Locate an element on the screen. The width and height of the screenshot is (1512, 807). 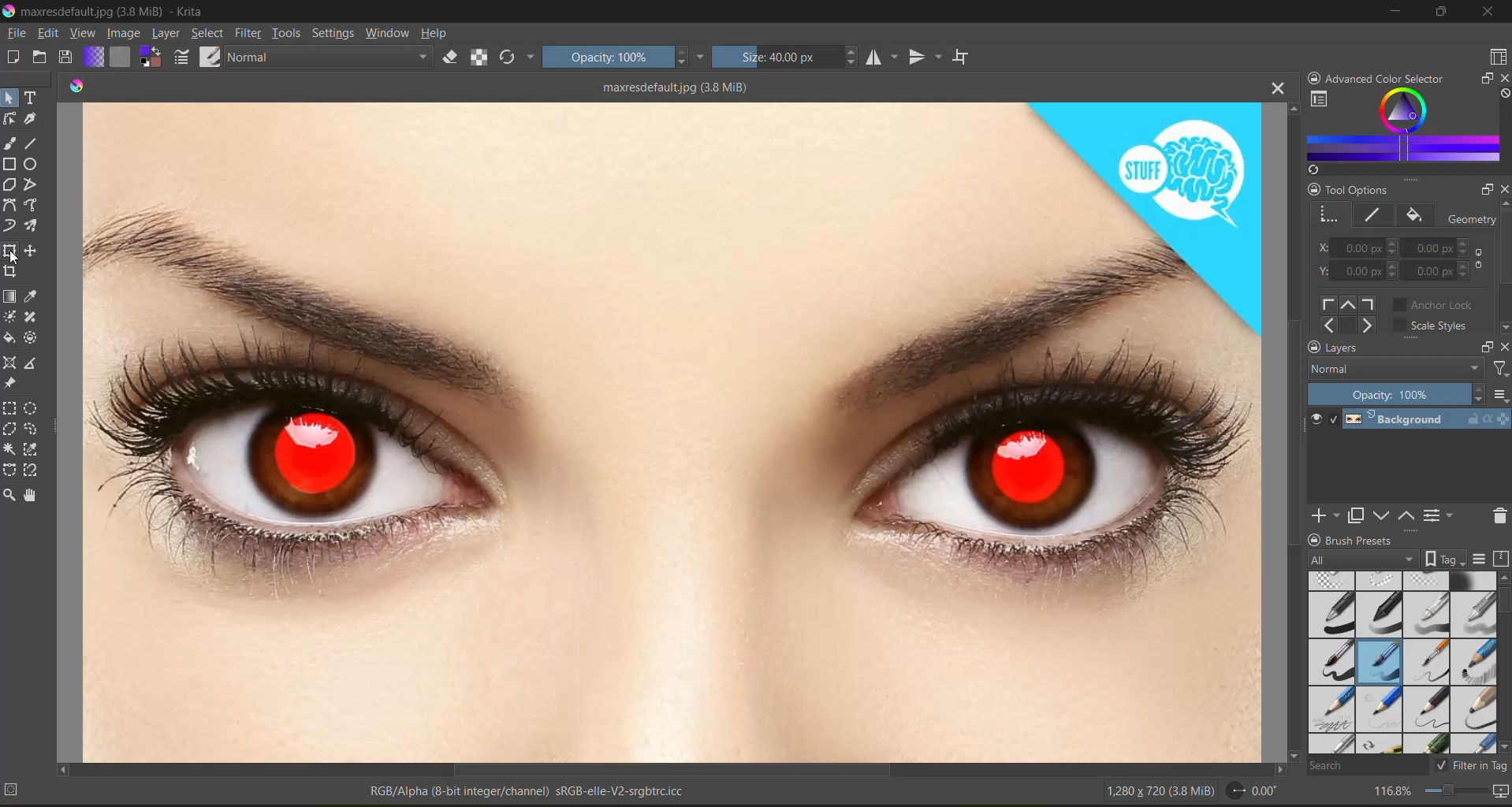
fill is located at coordinates (1418, 216).